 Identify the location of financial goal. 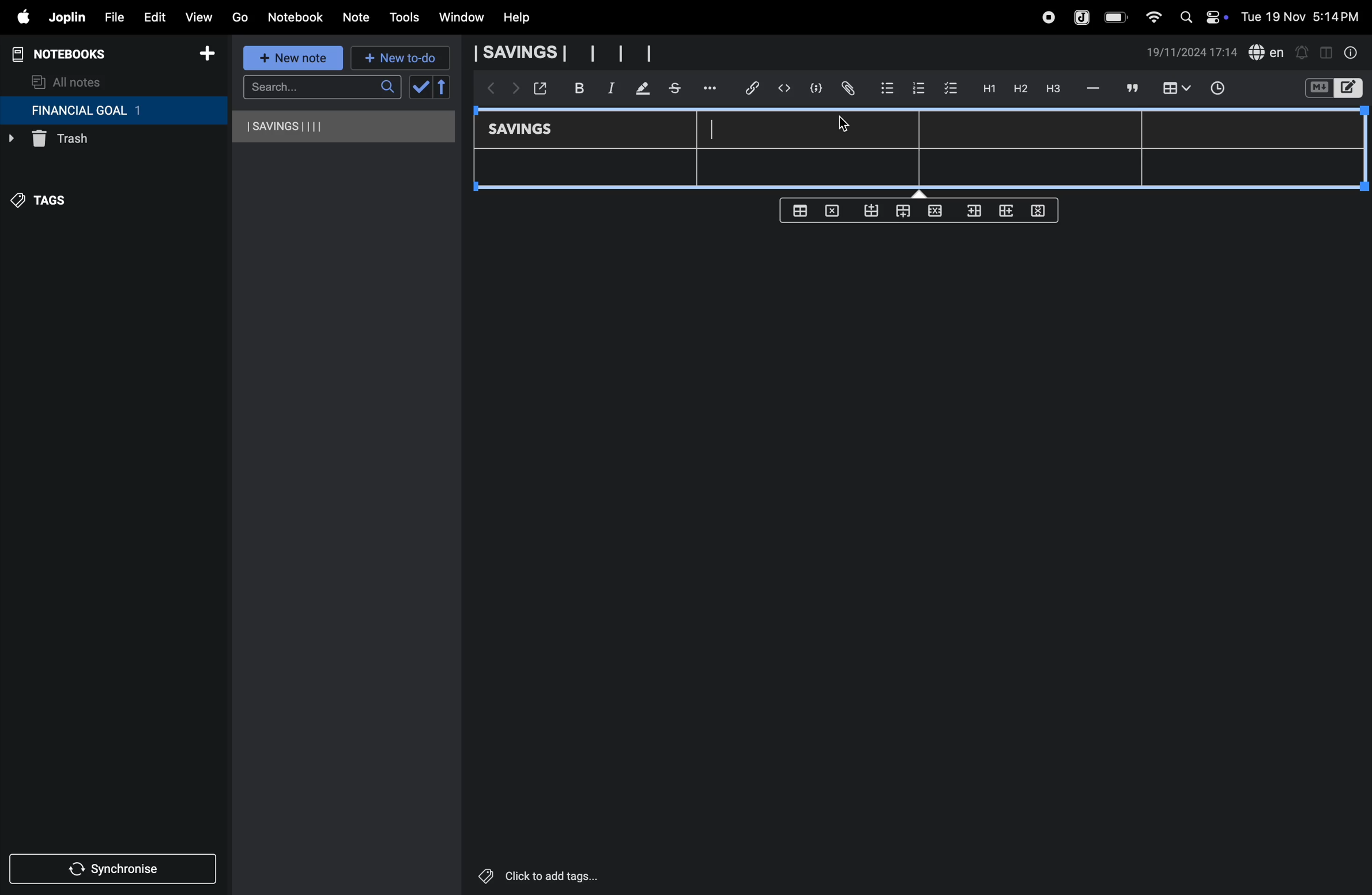
(113, 111).